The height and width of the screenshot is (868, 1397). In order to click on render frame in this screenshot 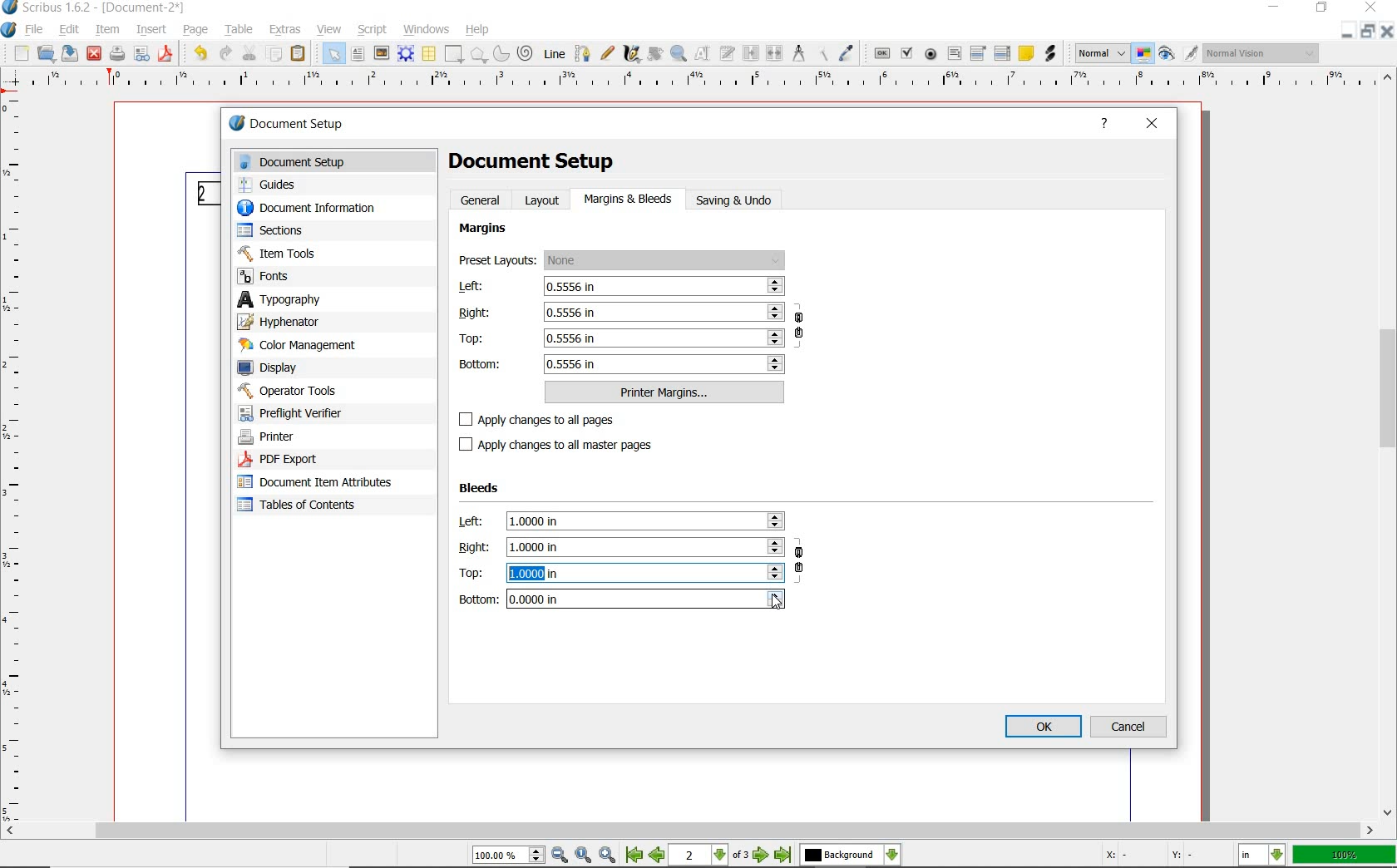, I will do `click(406, 52)`.